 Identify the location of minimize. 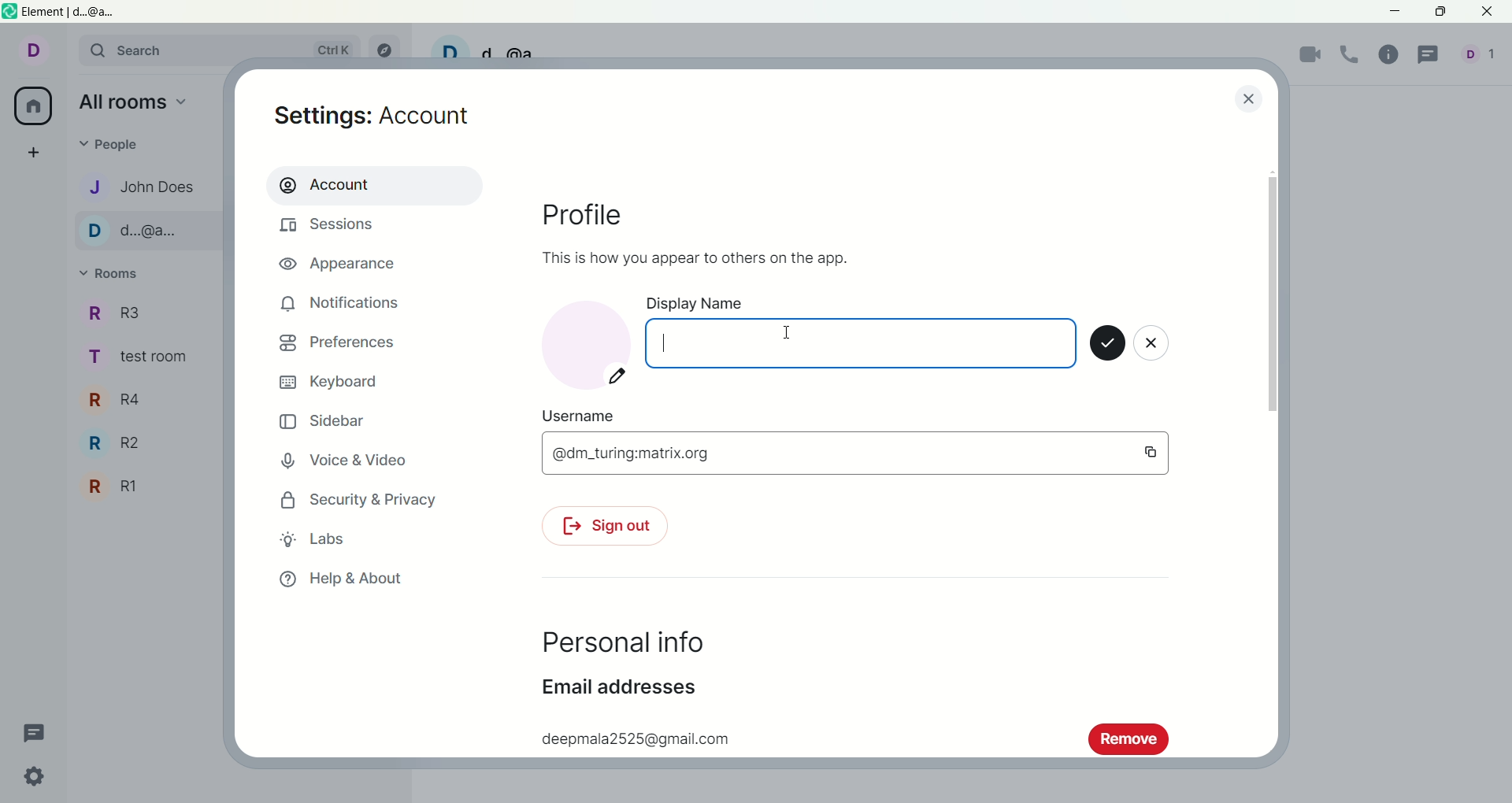
(1396, 13).